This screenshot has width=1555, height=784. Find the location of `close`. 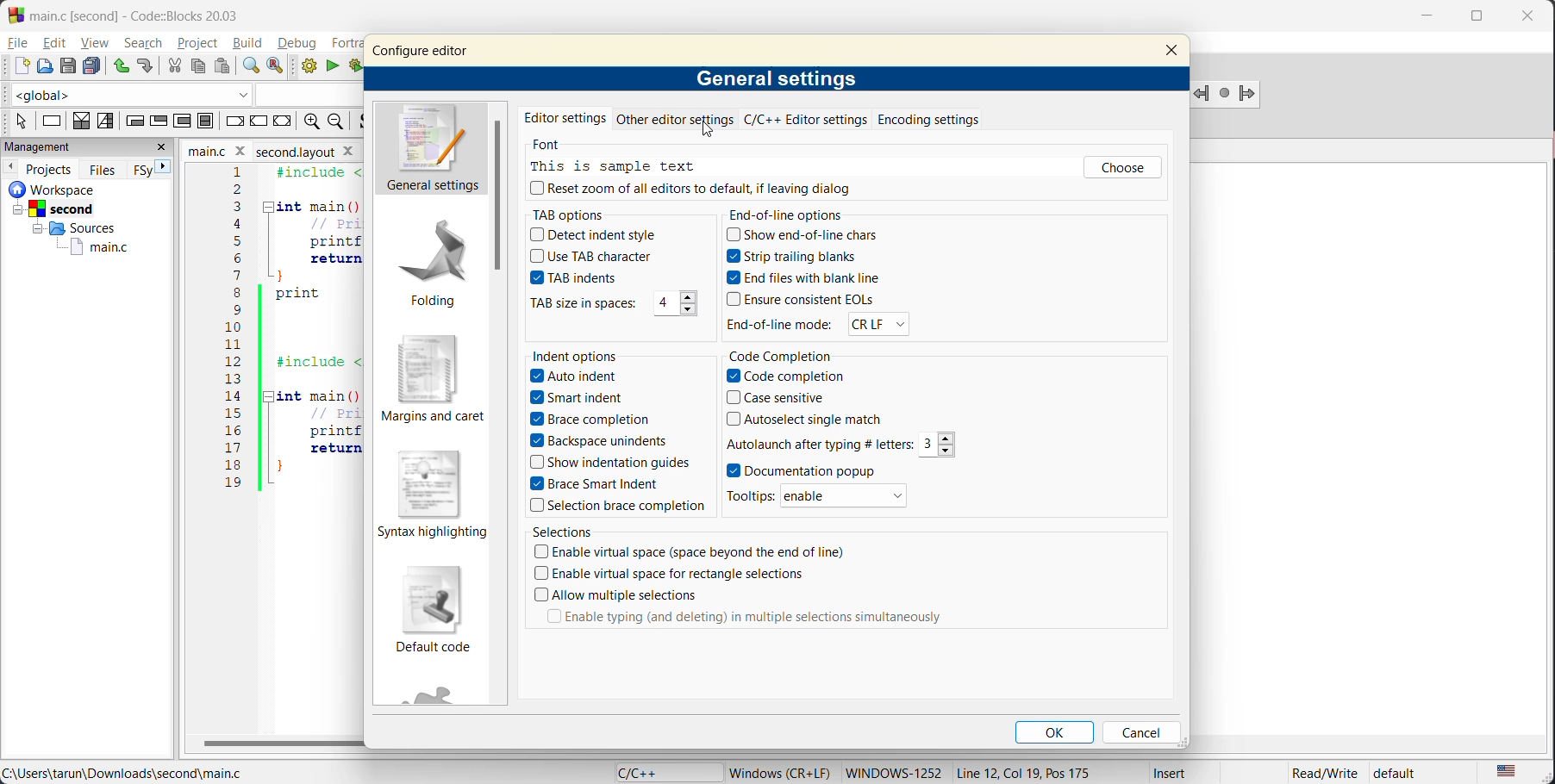

close is located at coordinates (161, 149).